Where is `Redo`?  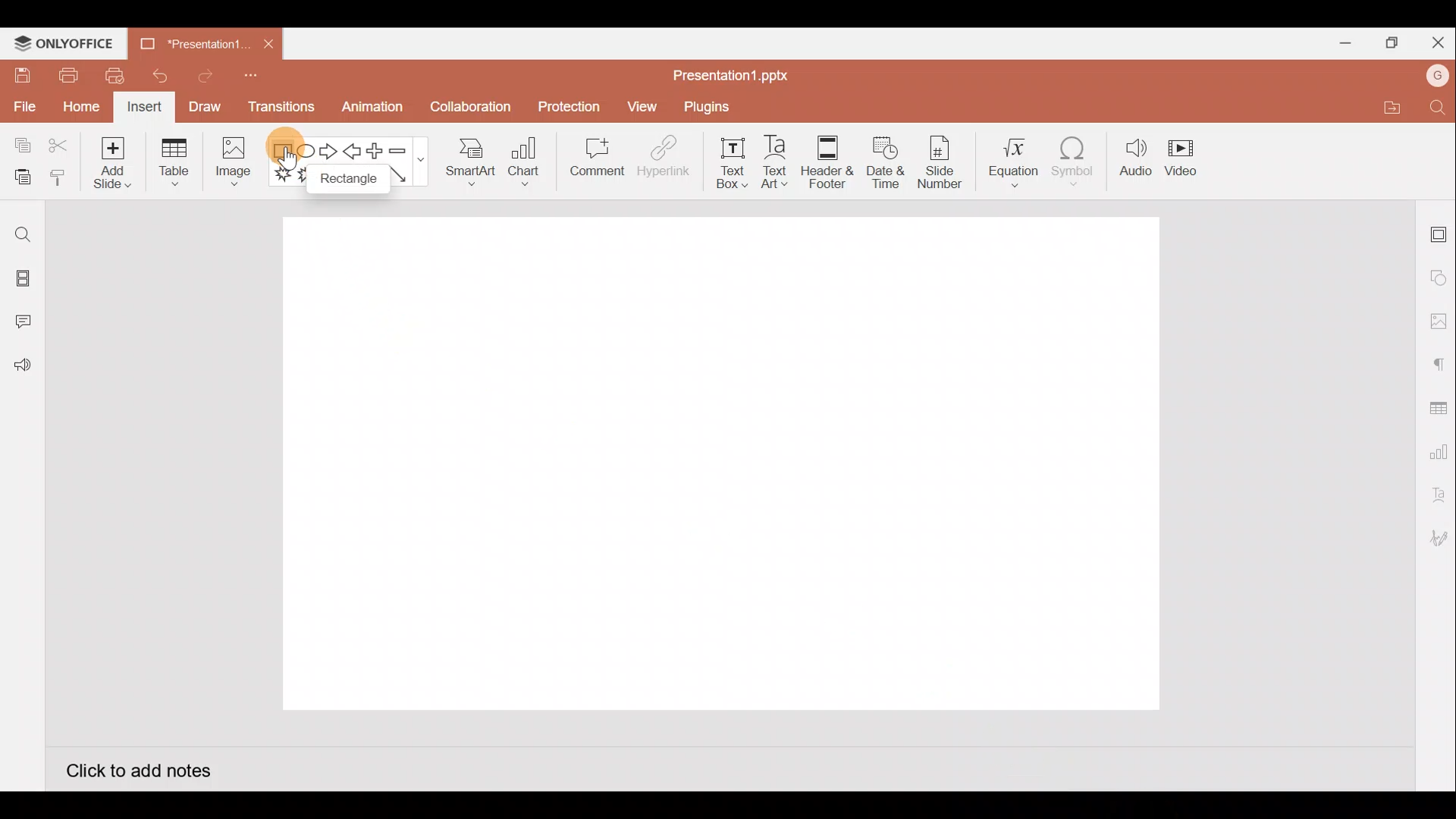
Redo is located at coordinates (199, 75).